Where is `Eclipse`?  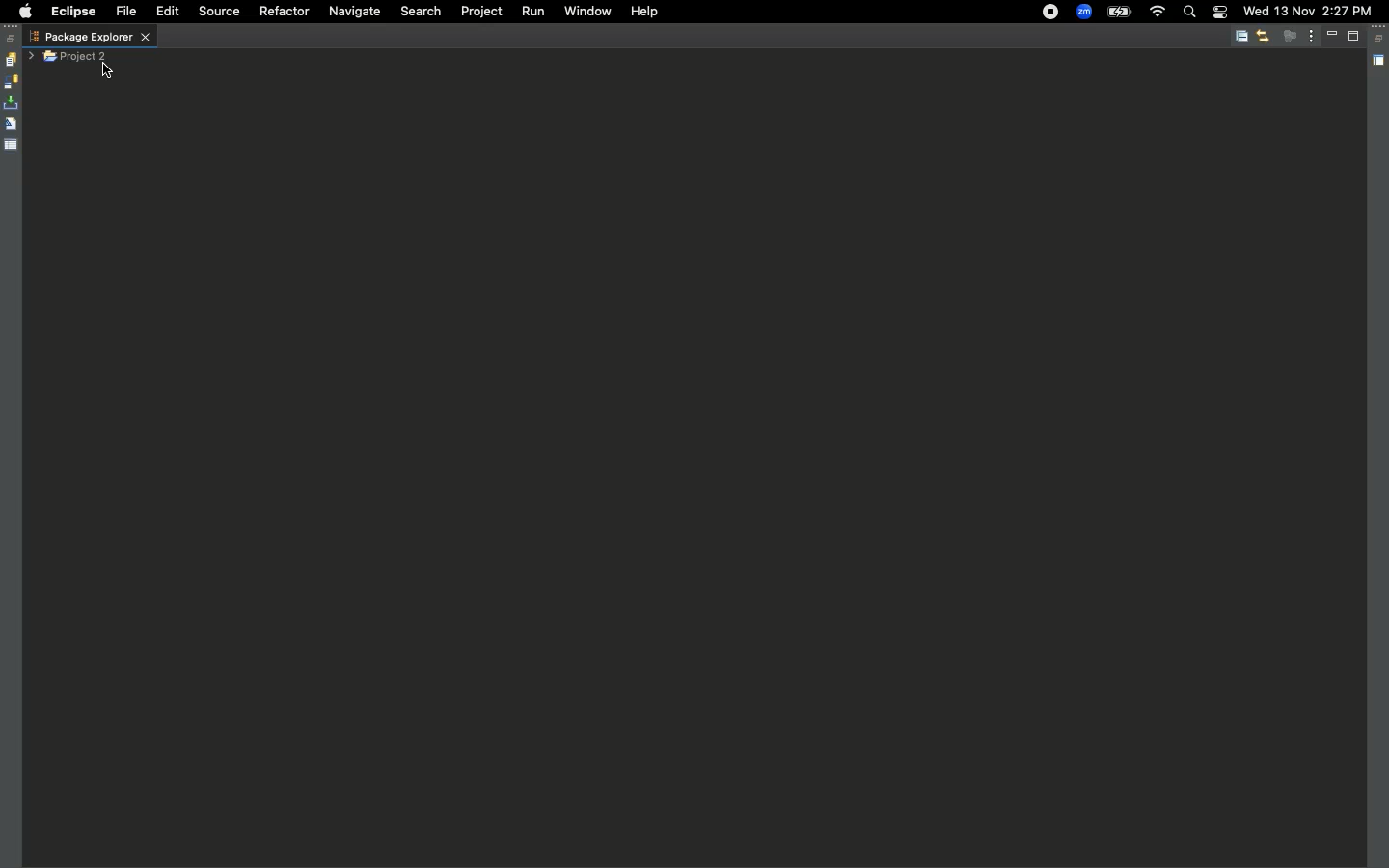
Eclipse is located at coordinates (72, 12).